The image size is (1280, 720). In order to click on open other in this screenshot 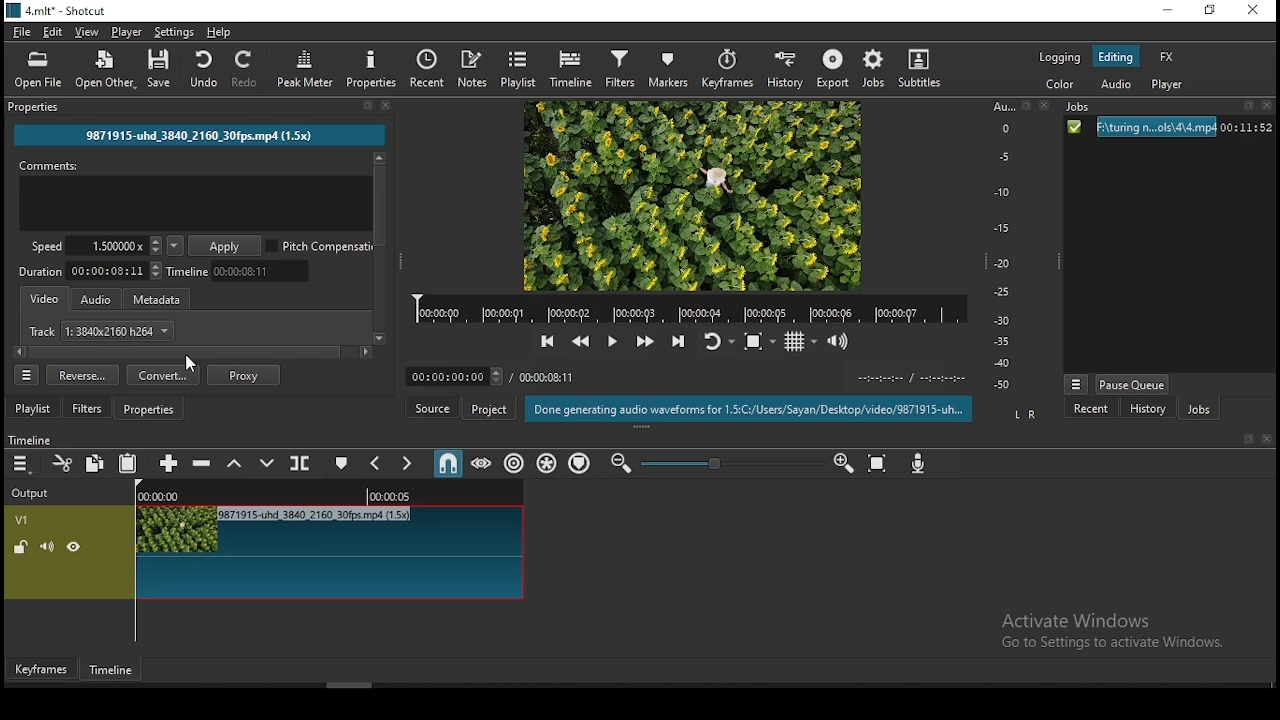, I will do `click(105, 72)`.